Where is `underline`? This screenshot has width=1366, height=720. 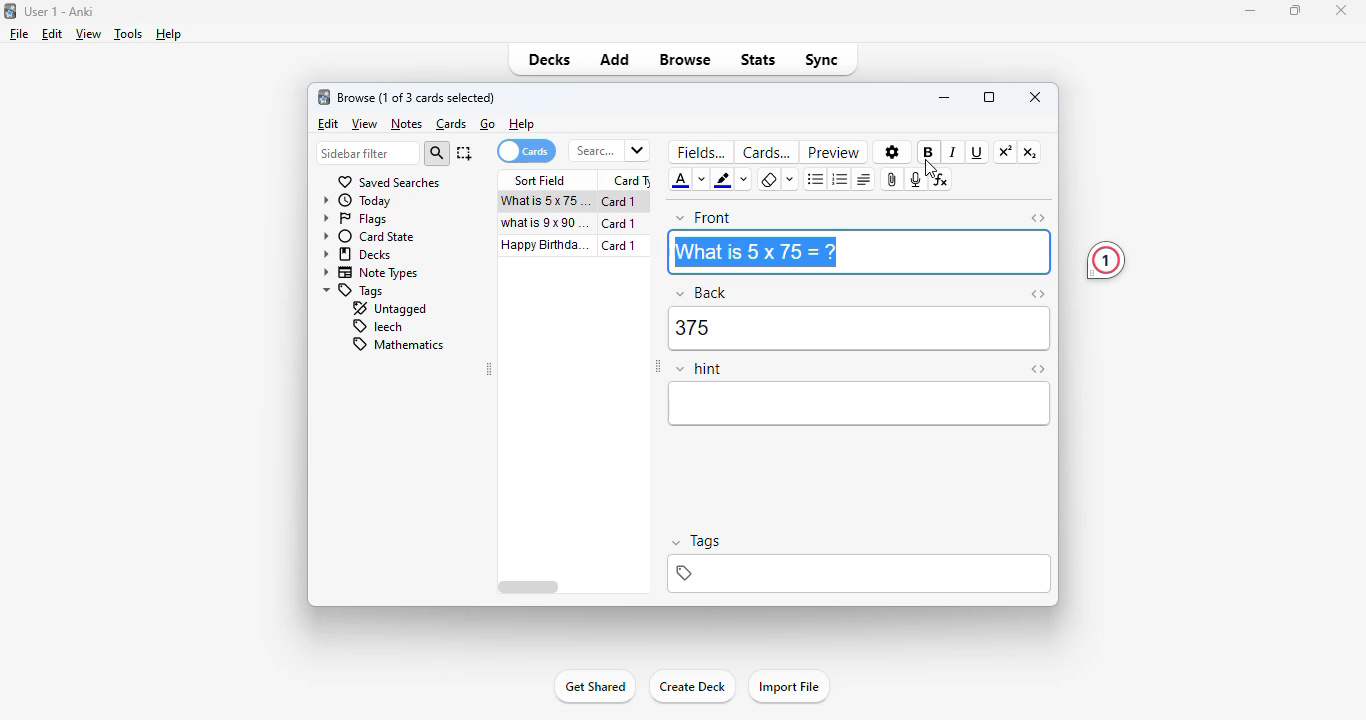 underline is located at coordinates (977, 153).